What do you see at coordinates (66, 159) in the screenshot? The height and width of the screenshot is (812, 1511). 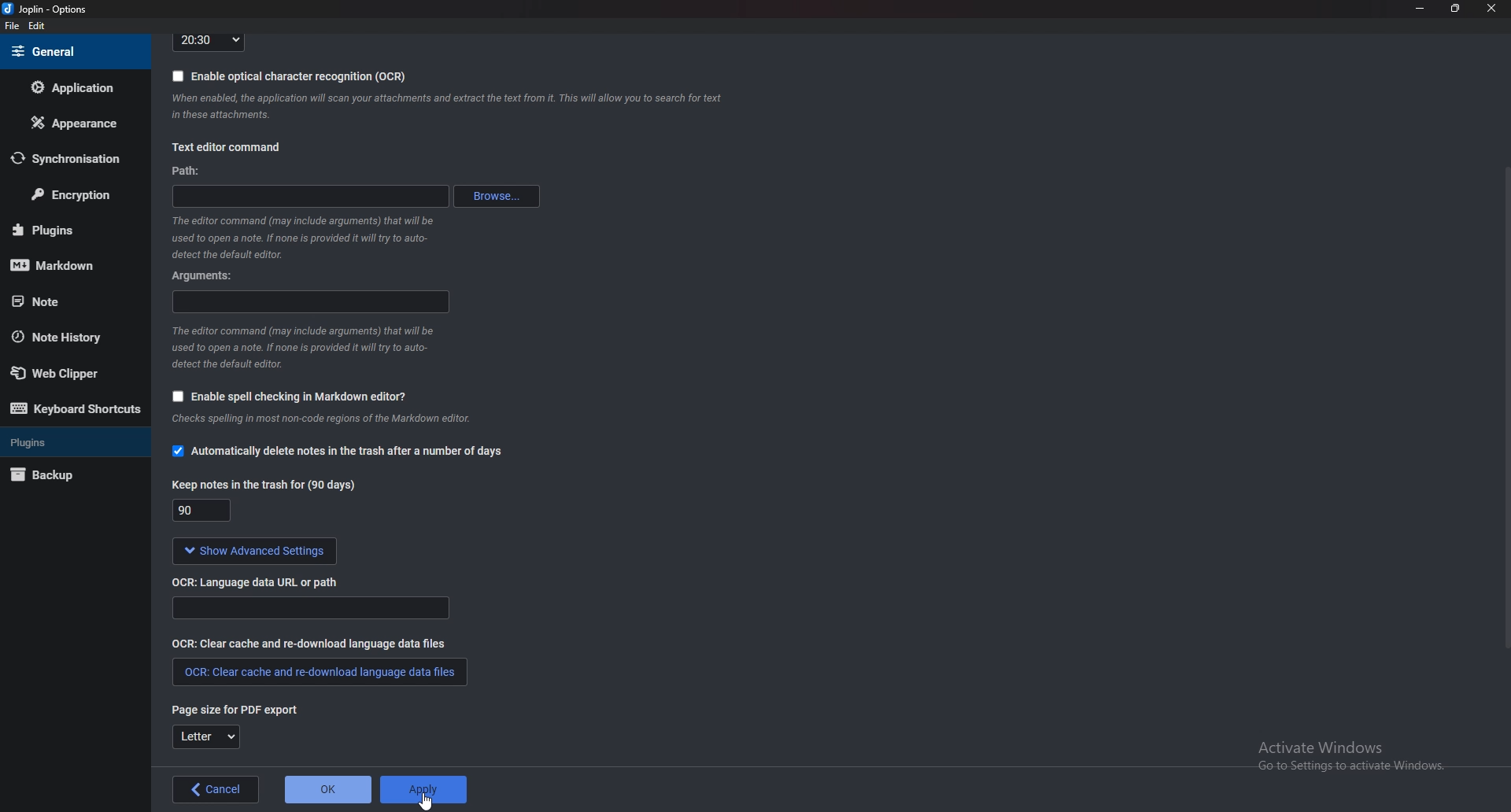 I see `Synchronization` at bounding box center [66, 159].